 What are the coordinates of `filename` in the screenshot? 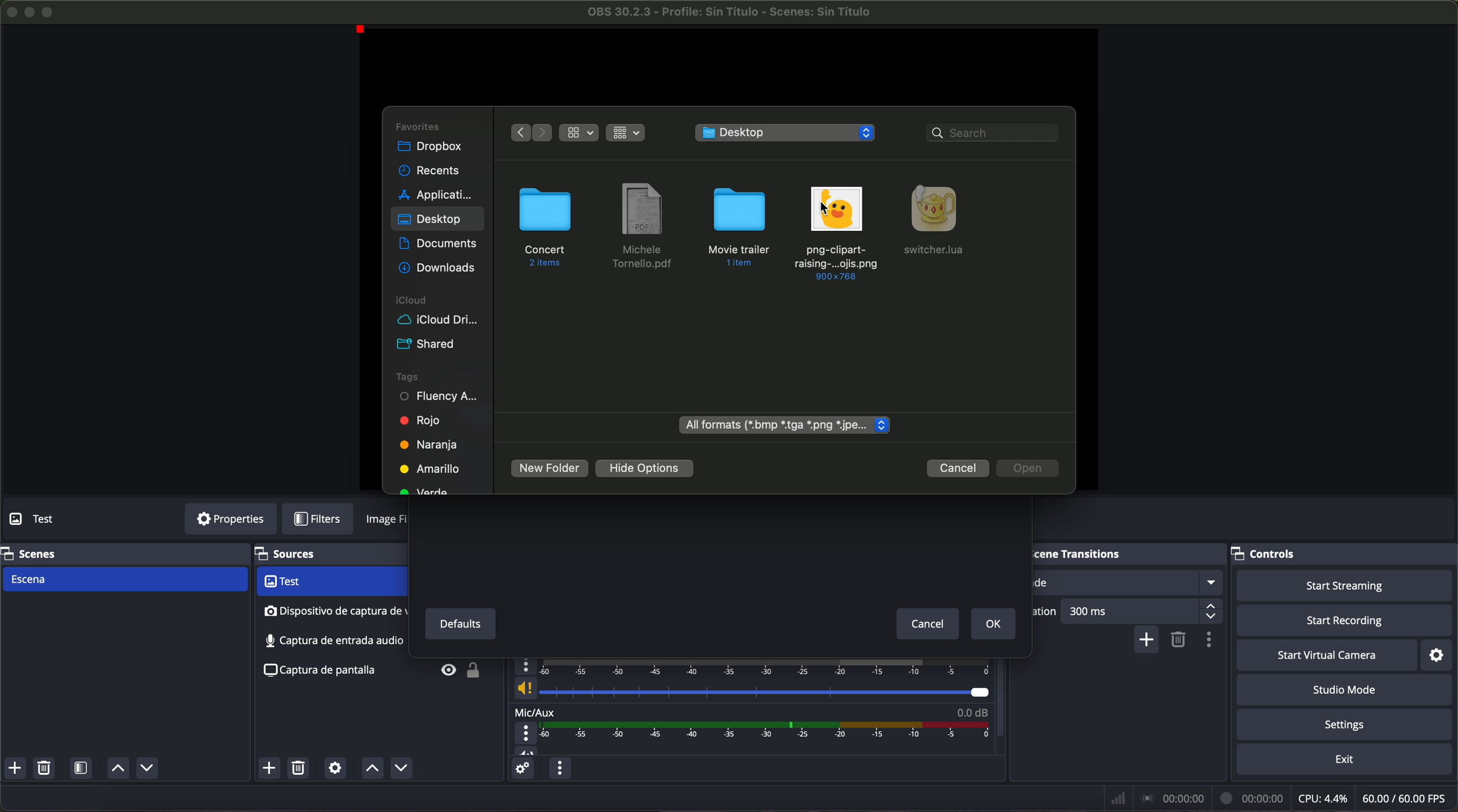 It's located at (731, 12).